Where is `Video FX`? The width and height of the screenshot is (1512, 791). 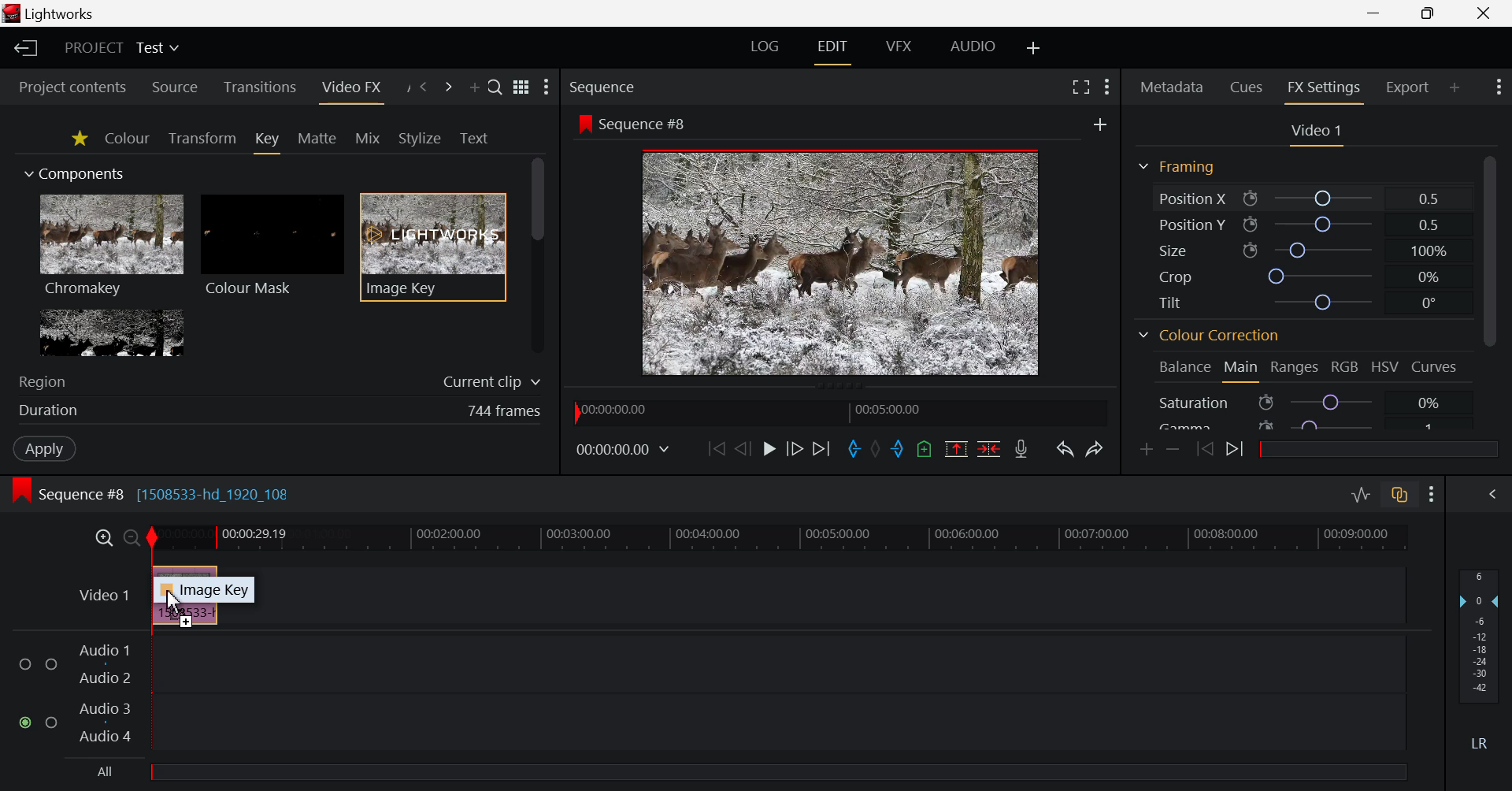
Video FX is located at coordinates (356, 91).